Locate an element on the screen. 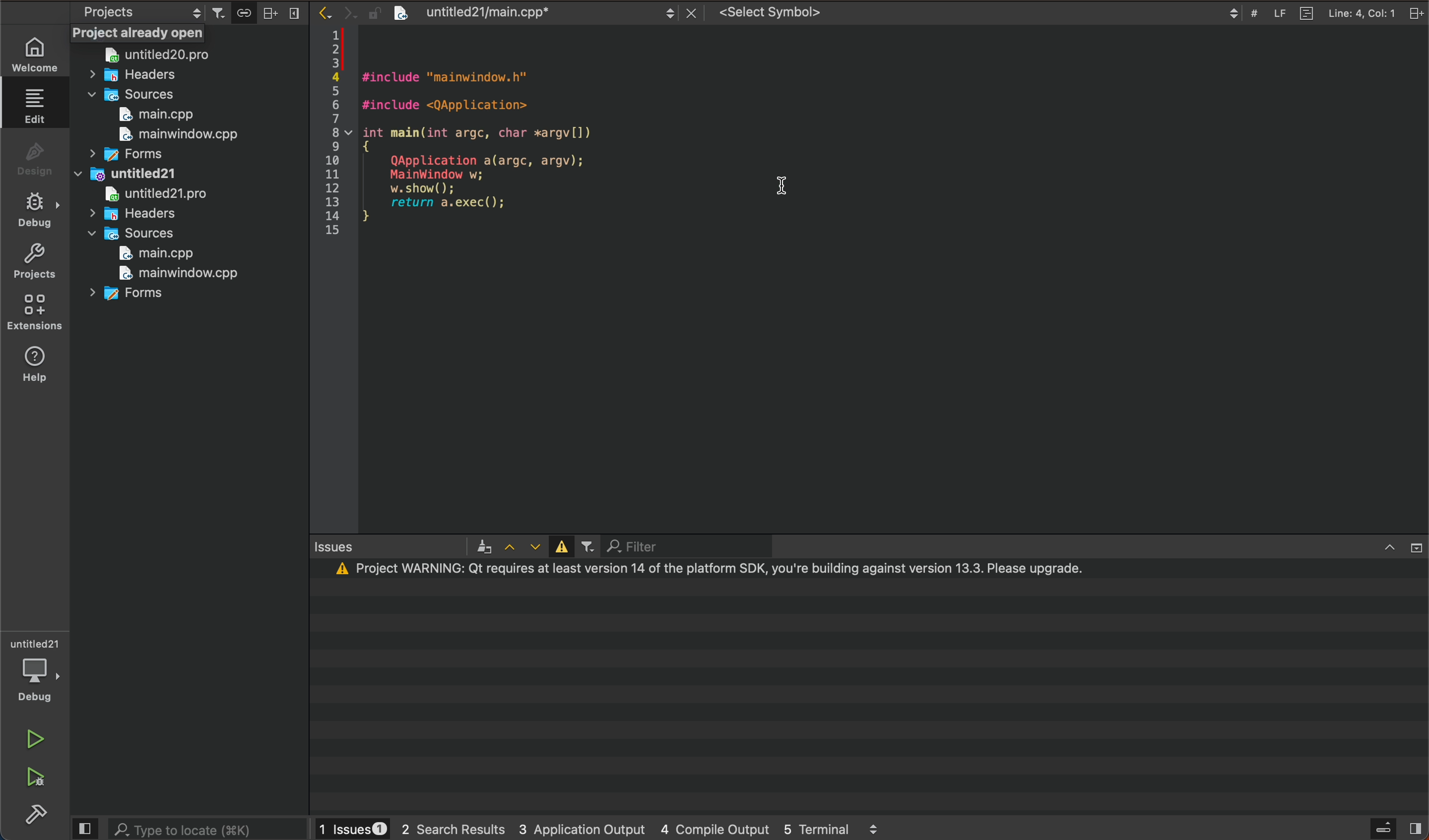 The height and width of the screenshot is (840, 1429). extensions is located at coordinates (35, 308).